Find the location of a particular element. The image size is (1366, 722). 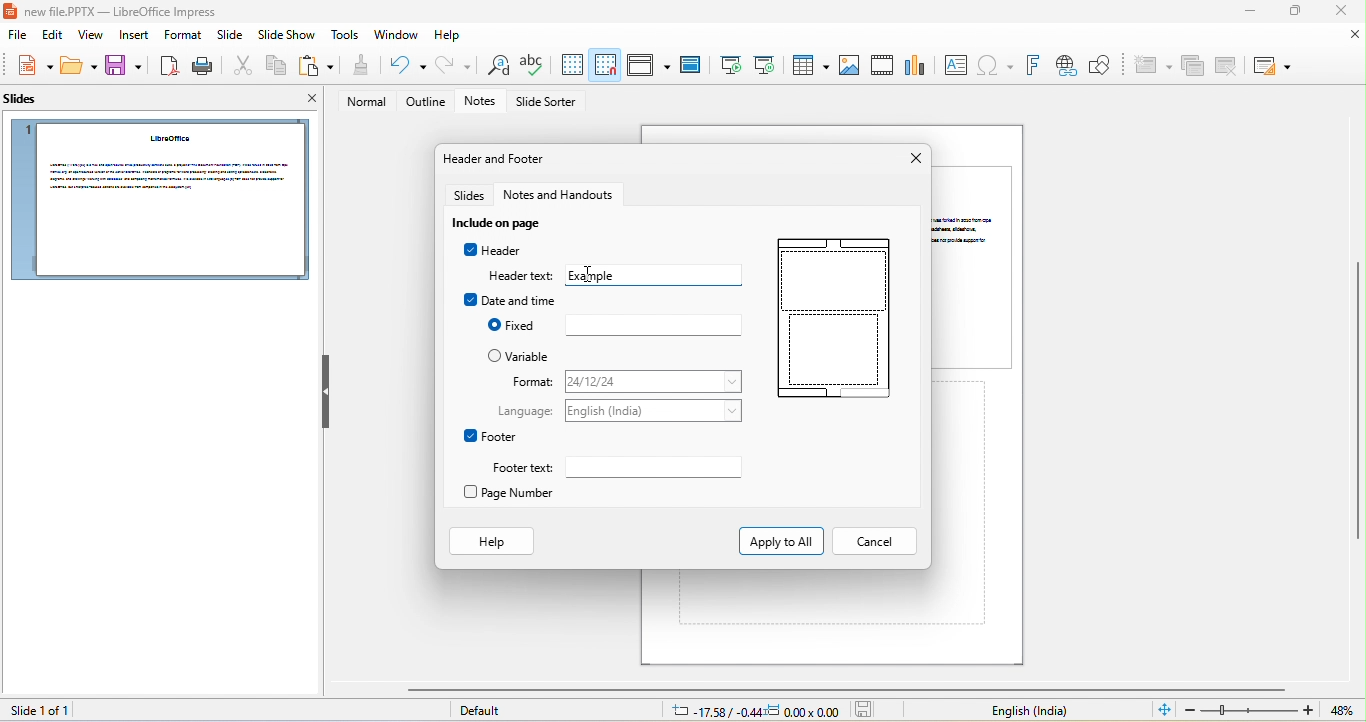

footer is located at coordinates (491, 436).